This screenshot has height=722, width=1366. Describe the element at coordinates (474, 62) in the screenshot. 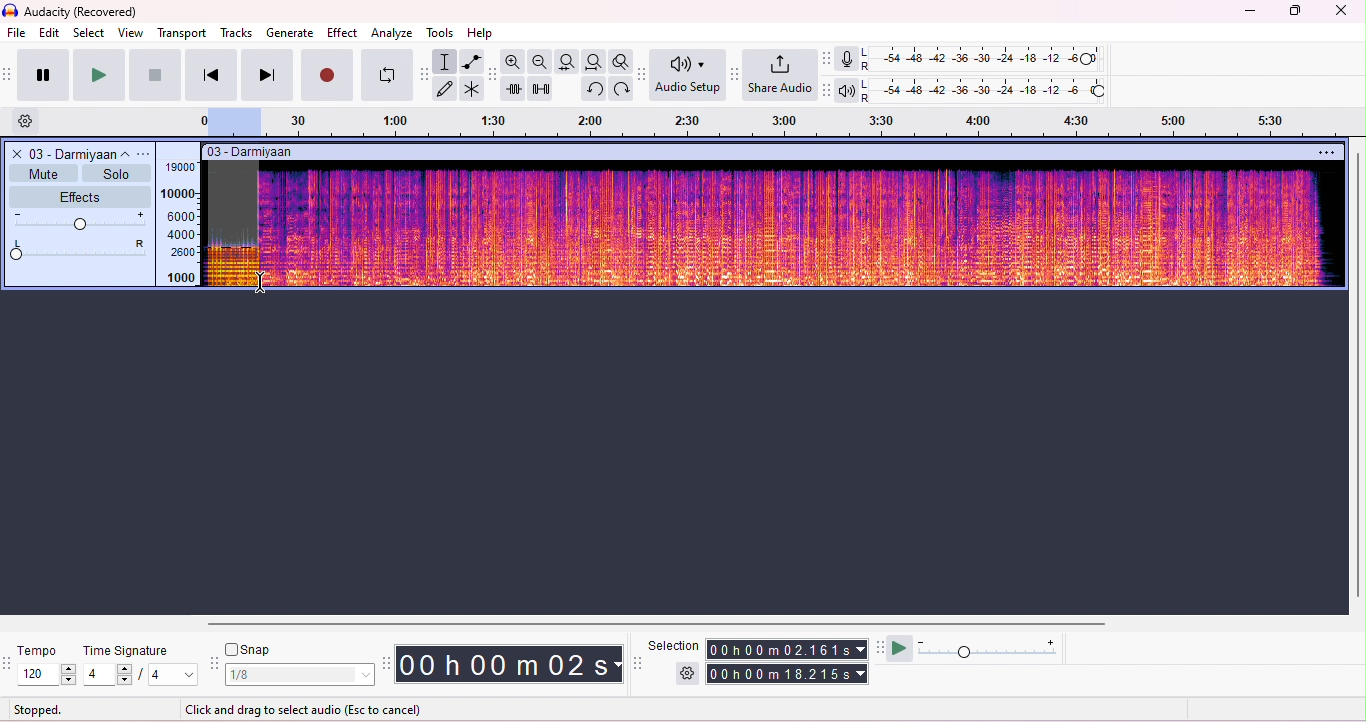

I see `envelop` at that location.